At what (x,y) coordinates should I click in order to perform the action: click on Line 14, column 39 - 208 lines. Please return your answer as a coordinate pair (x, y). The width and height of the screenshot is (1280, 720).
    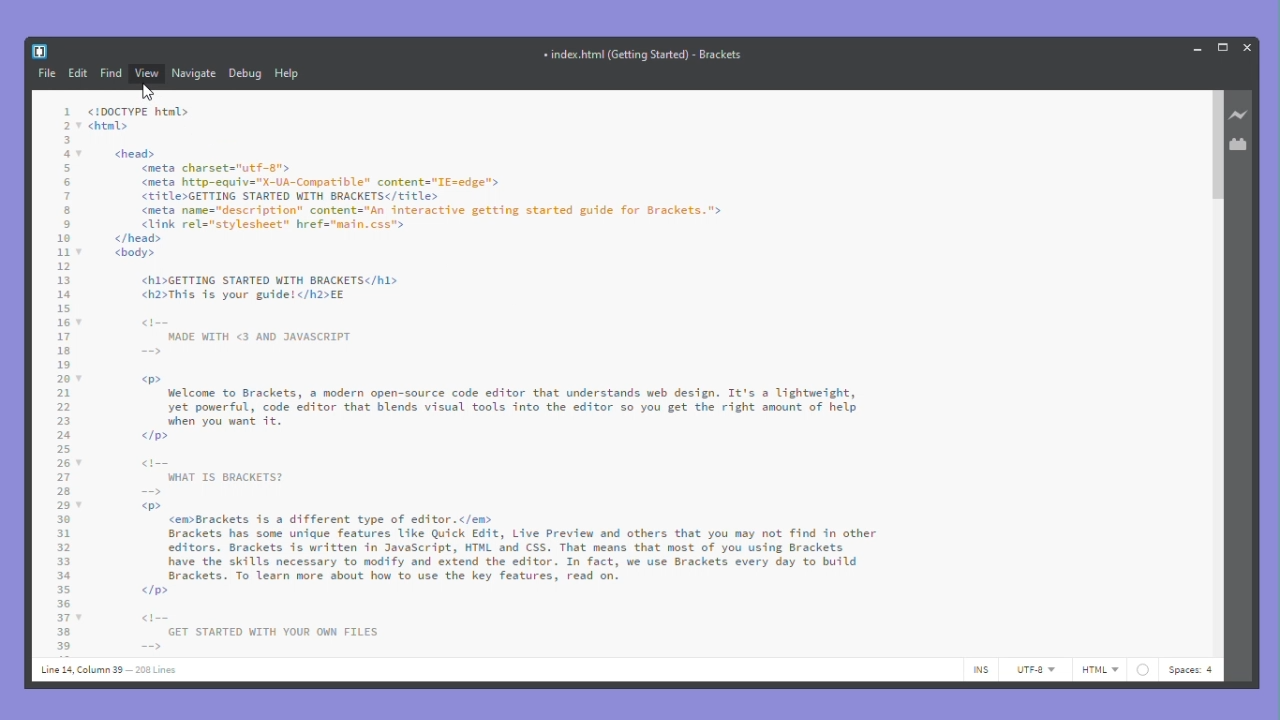
    Looking at the image, I should click on (107, 671).